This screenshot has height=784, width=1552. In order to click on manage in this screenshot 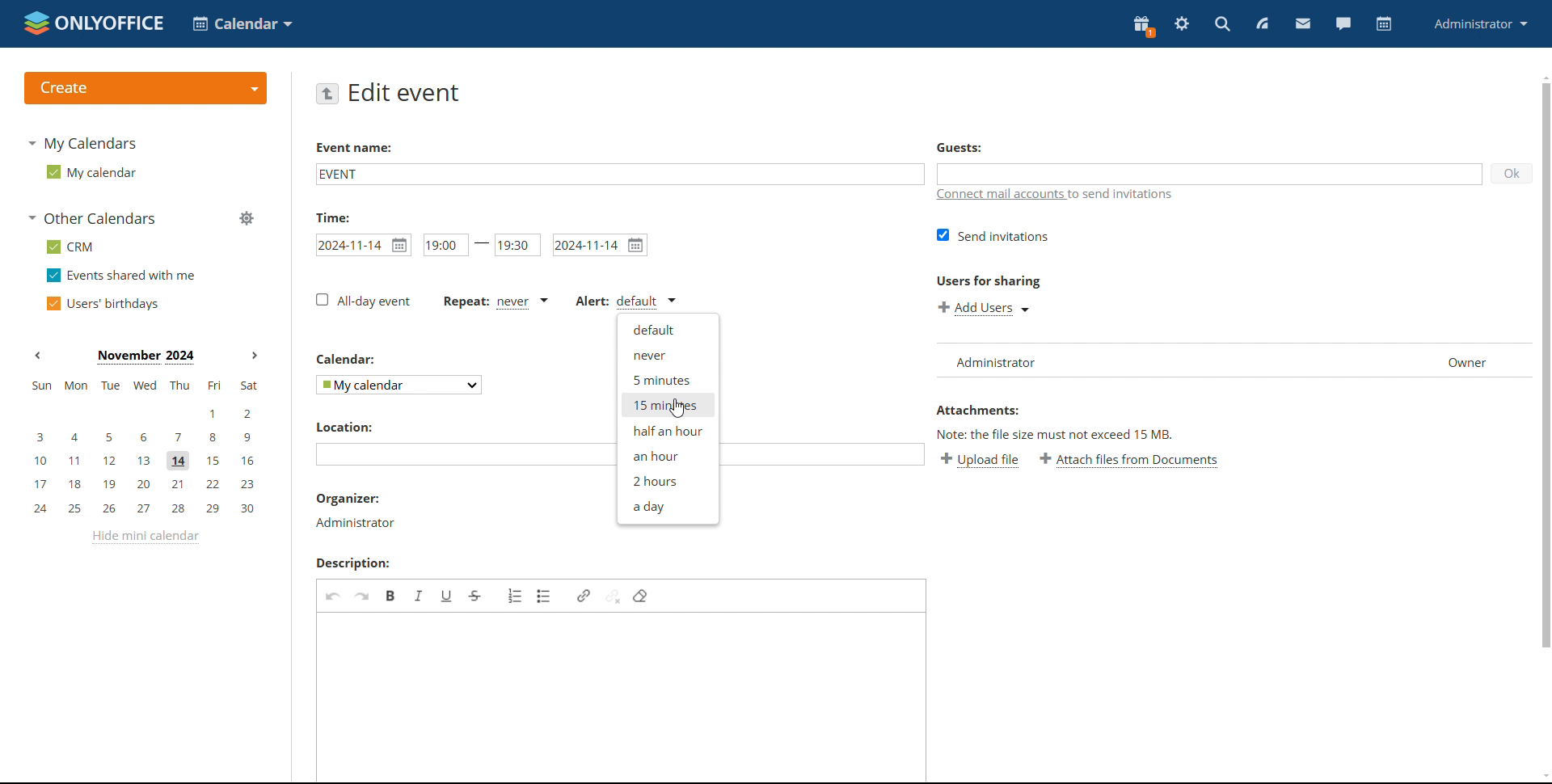, I will do `click(247, 218)`.